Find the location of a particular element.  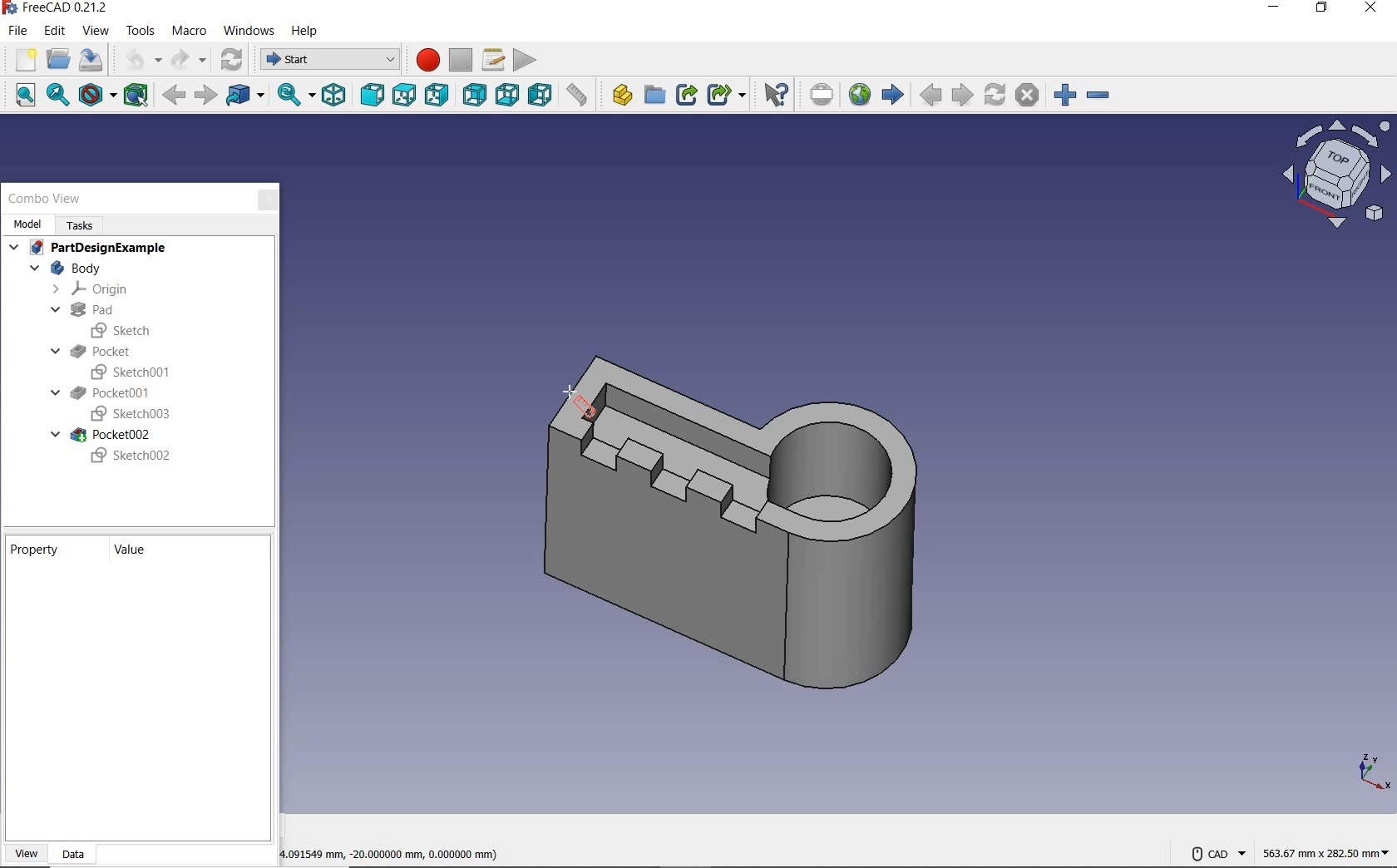

switch between workbenches is located at coordinates (327, 60).